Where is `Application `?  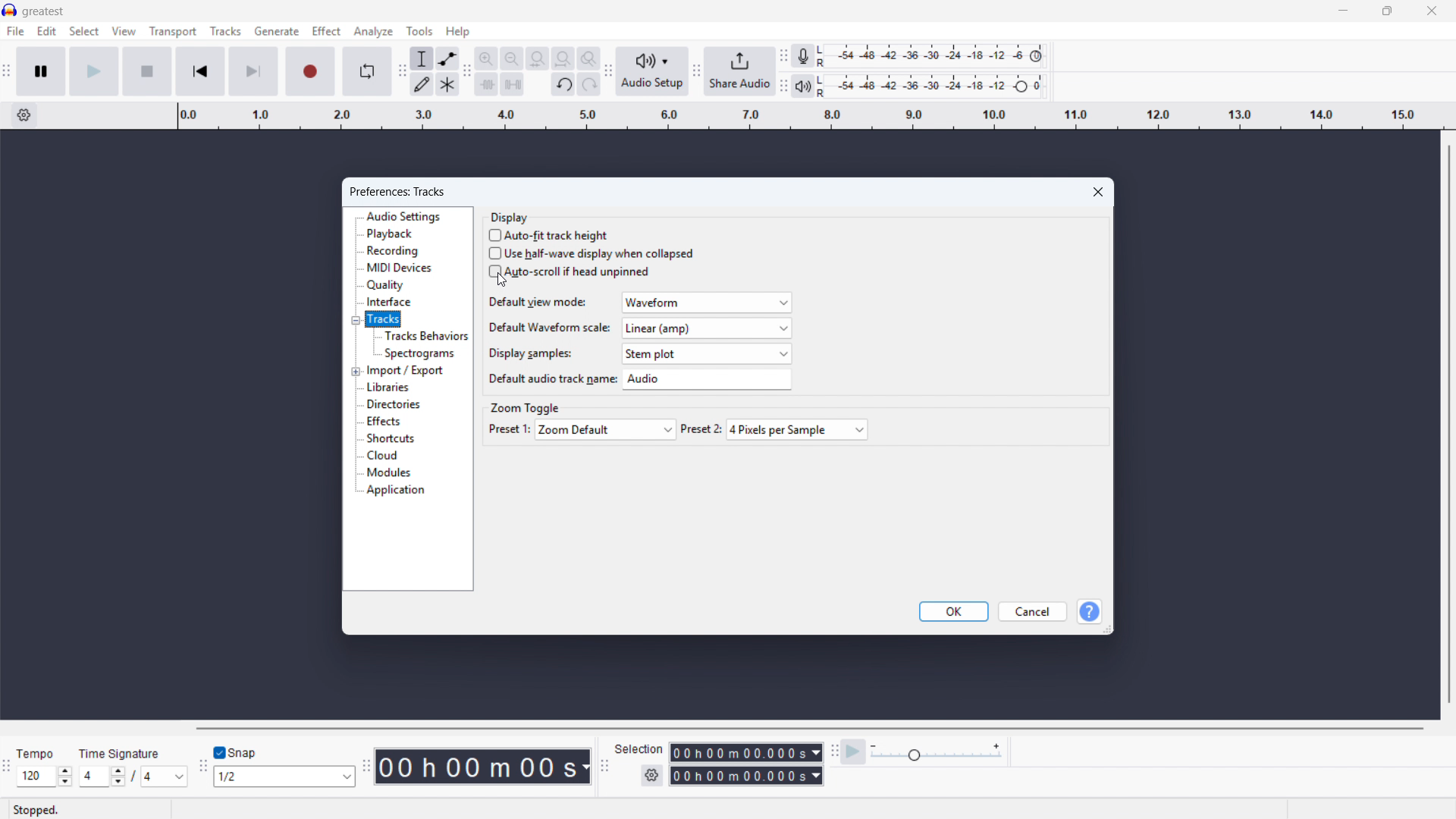 Application  is located at coordinates (396, 491).